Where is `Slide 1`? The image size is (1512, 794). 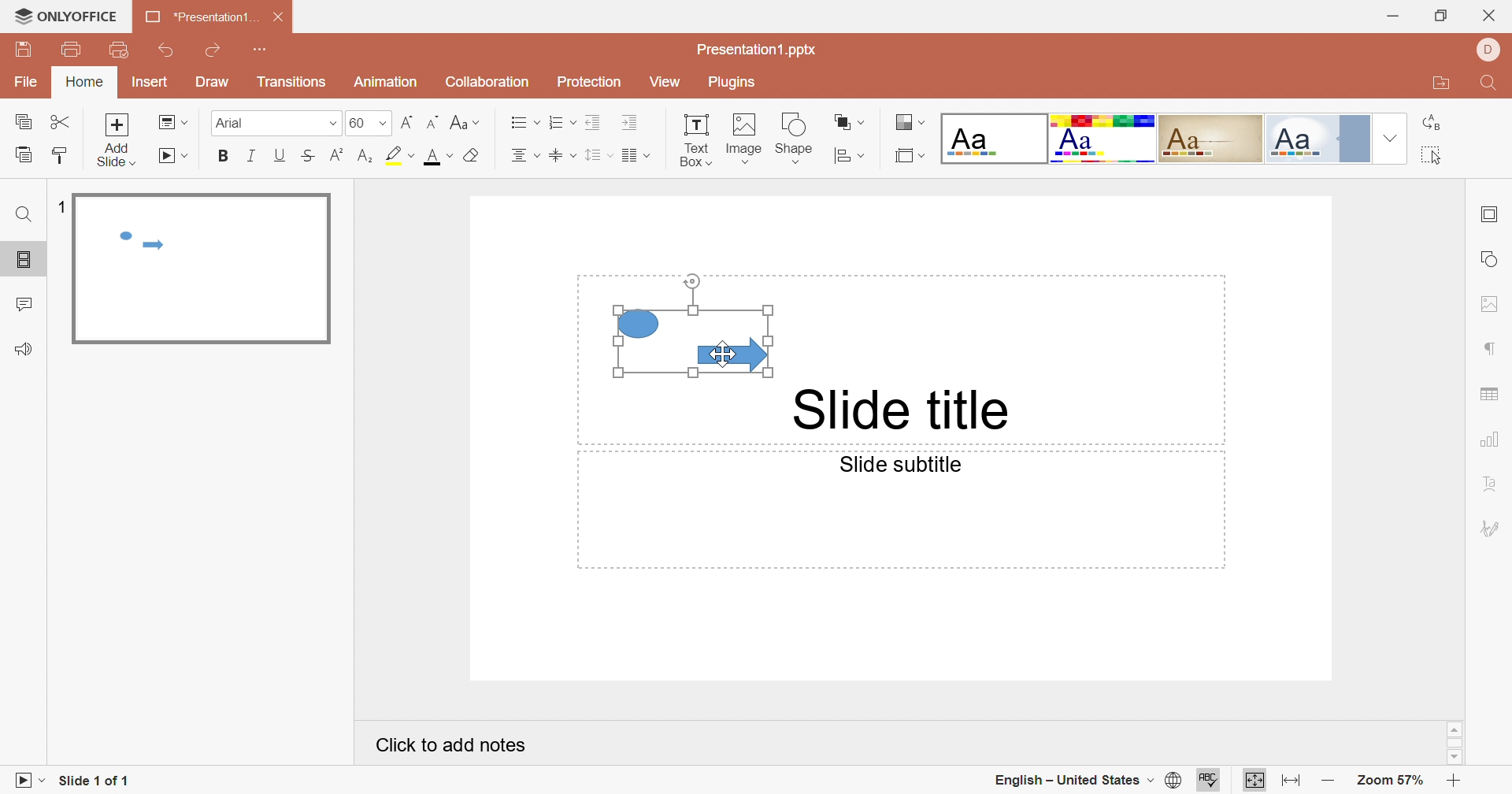
Slide 1 is located at coordinates (206, 270).